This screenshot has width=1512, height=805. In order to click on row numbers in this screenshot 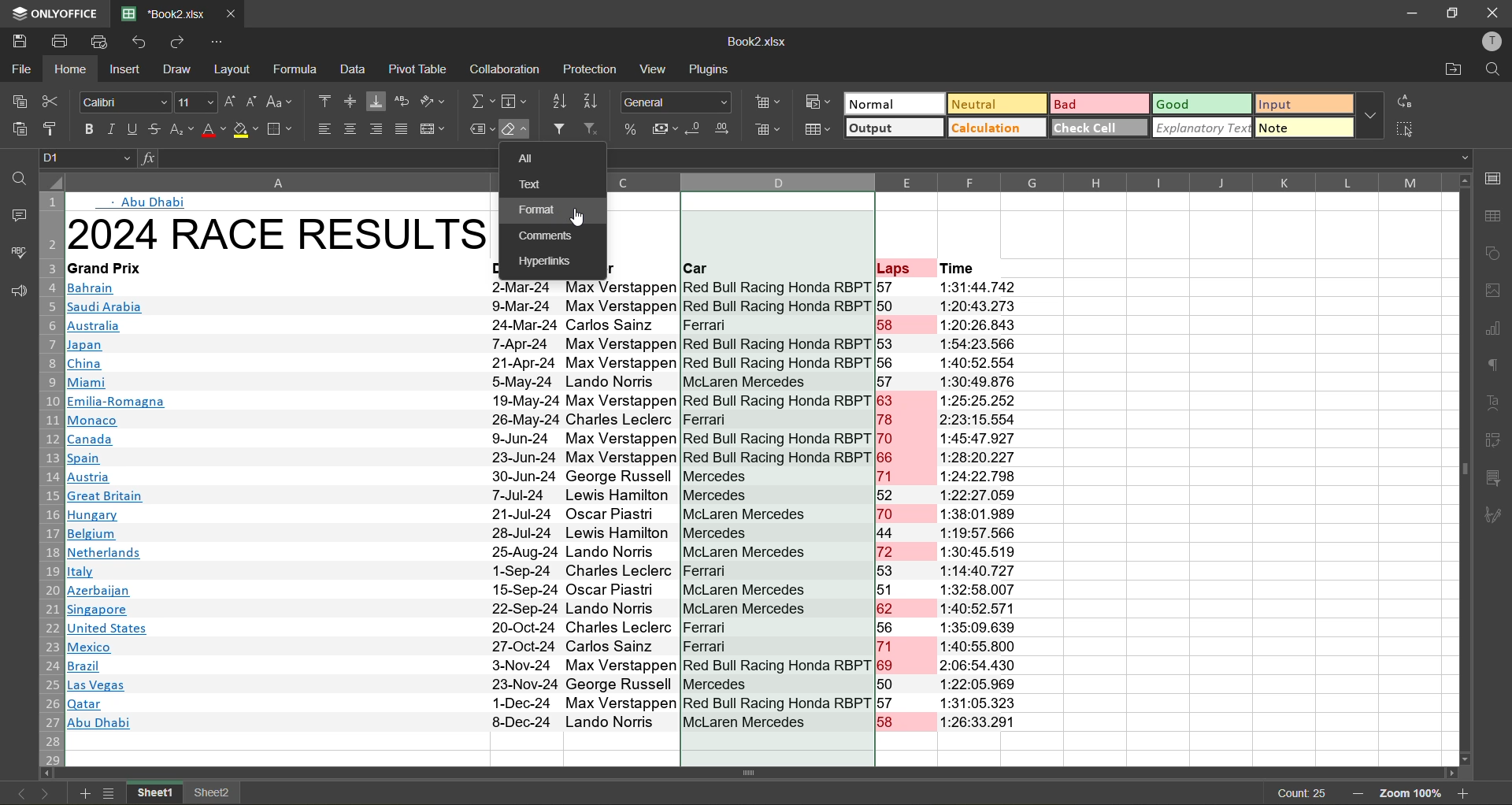, I will do `click(54, 478)`.